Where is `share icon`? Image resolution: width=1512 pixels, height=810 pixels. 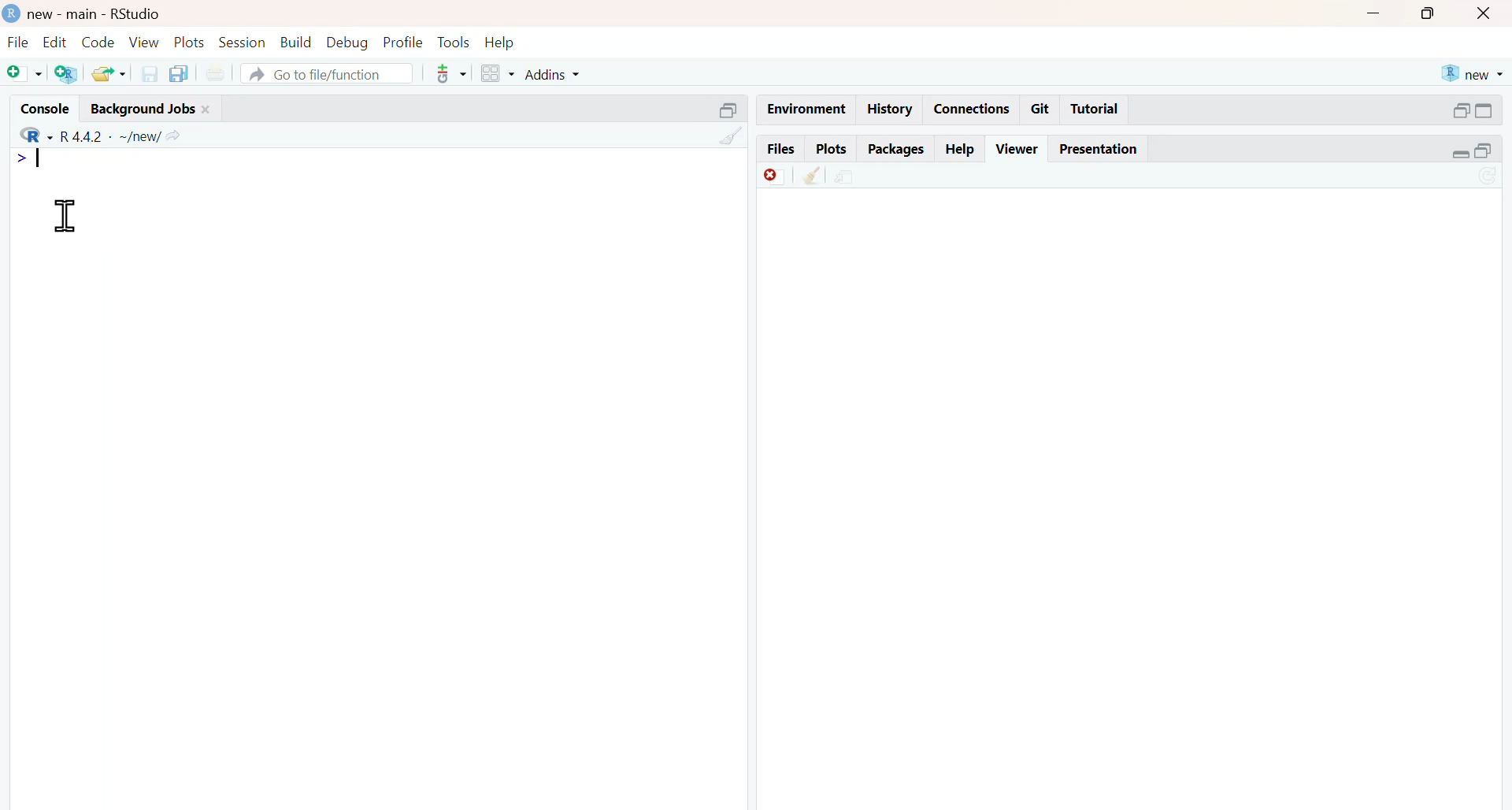 share icon is located at coordinates (173, 137).